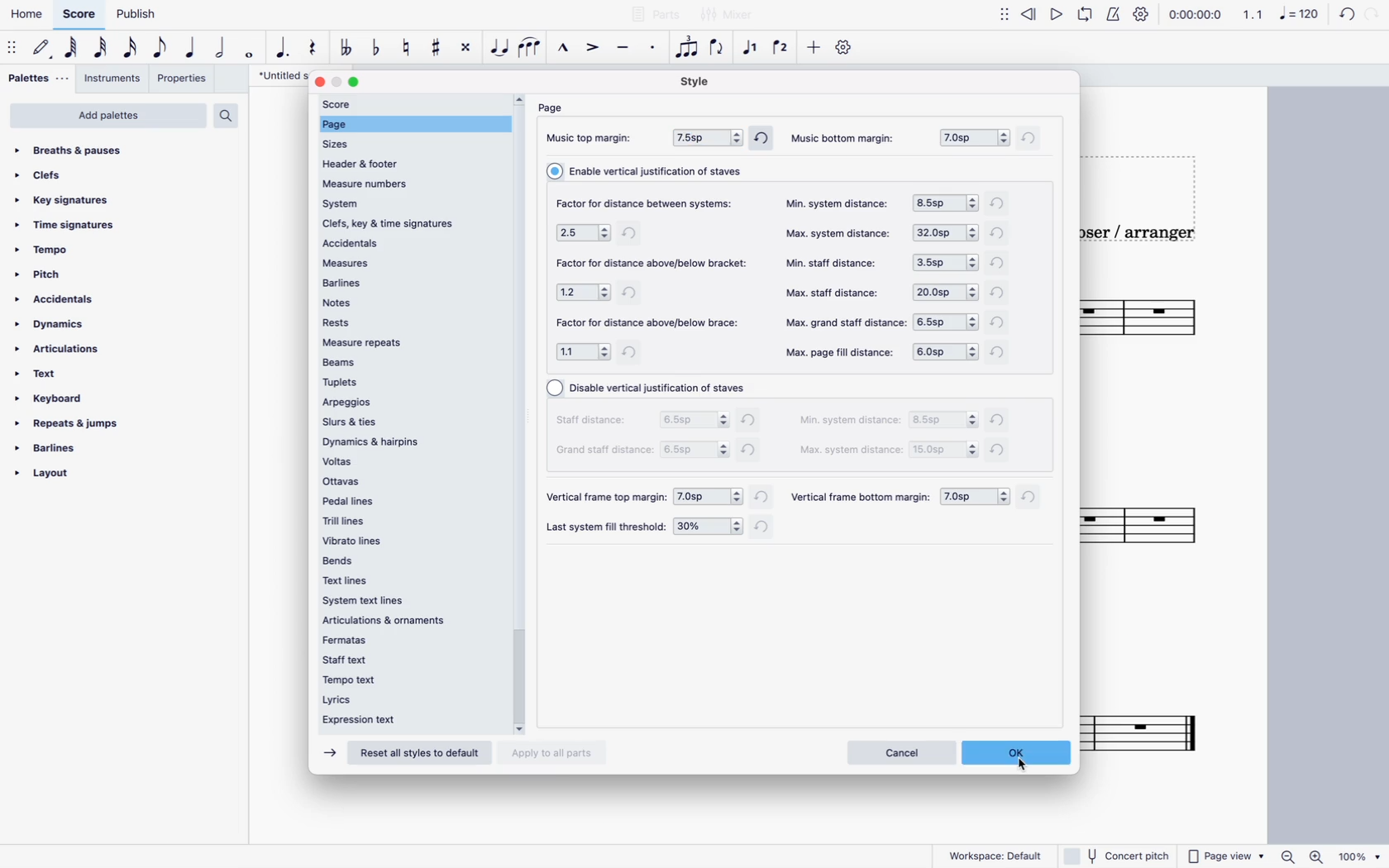 The height and width of the screenshot is (868, 1389). Describe the element at coordinates (594, 139) in the screenshot. I see `music top margin` at that location.